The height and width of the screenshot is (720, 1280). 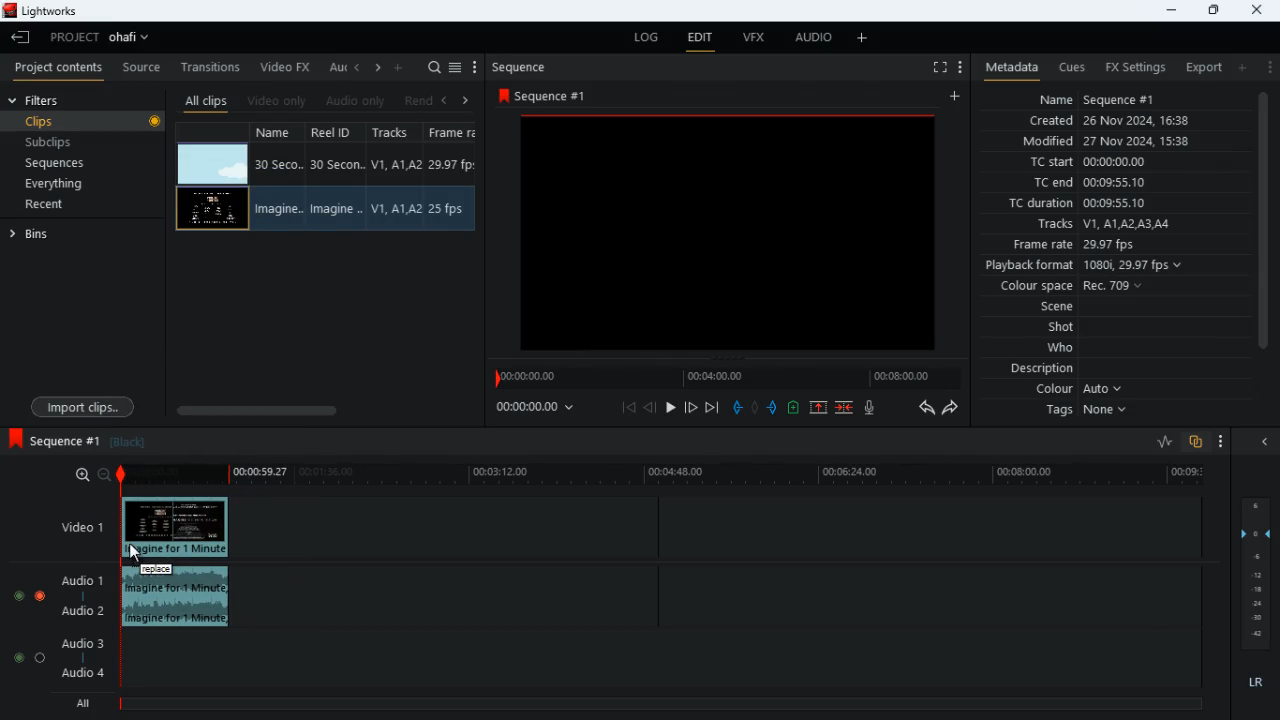 What do you see at coordinates (1056, 348) in the screenshot?
I see `who` at bounding box center [1056, 348].